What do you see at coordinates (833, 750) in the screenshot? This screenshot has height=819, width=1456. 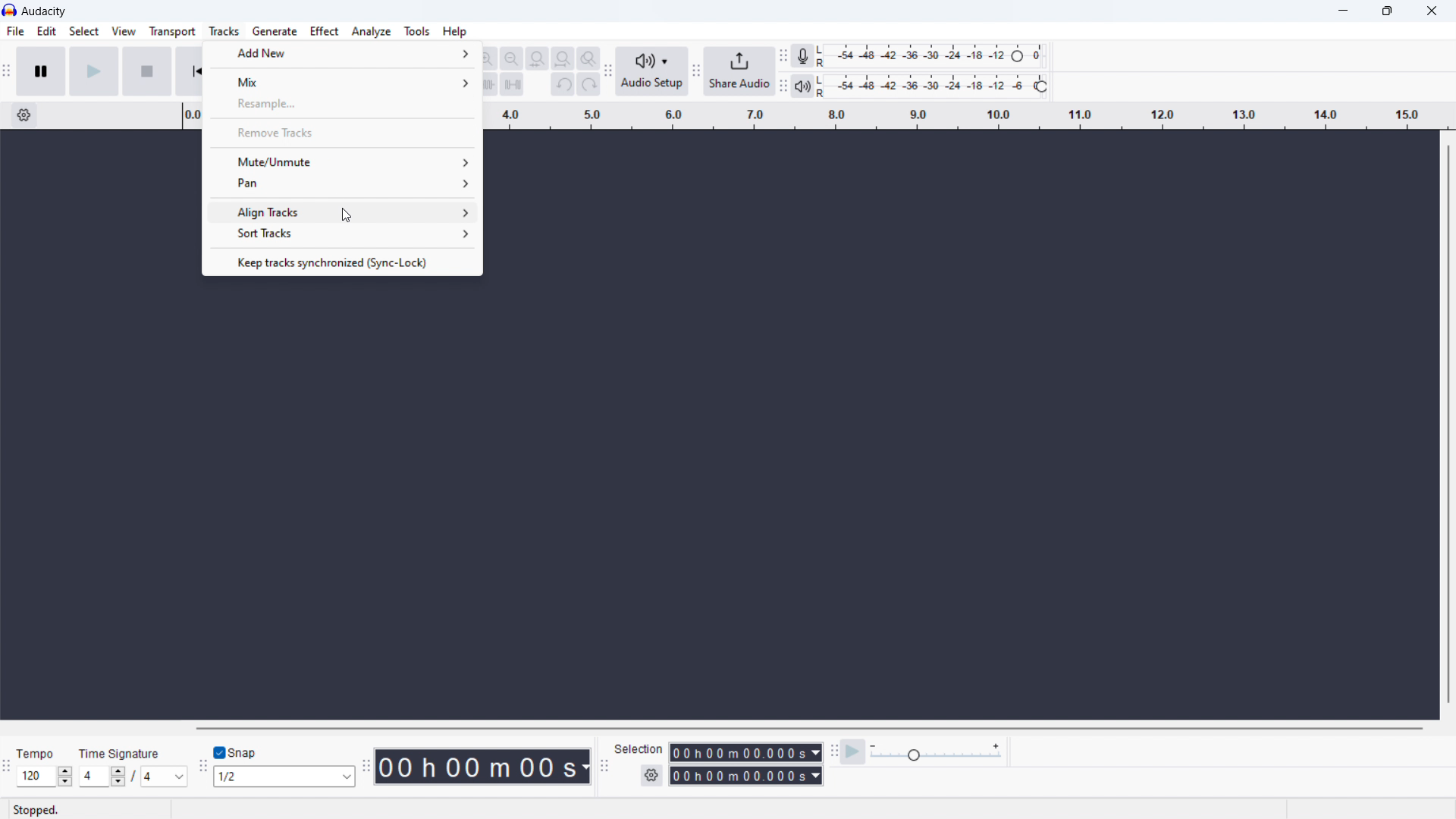 I see `` at bounding box center [833, 750].